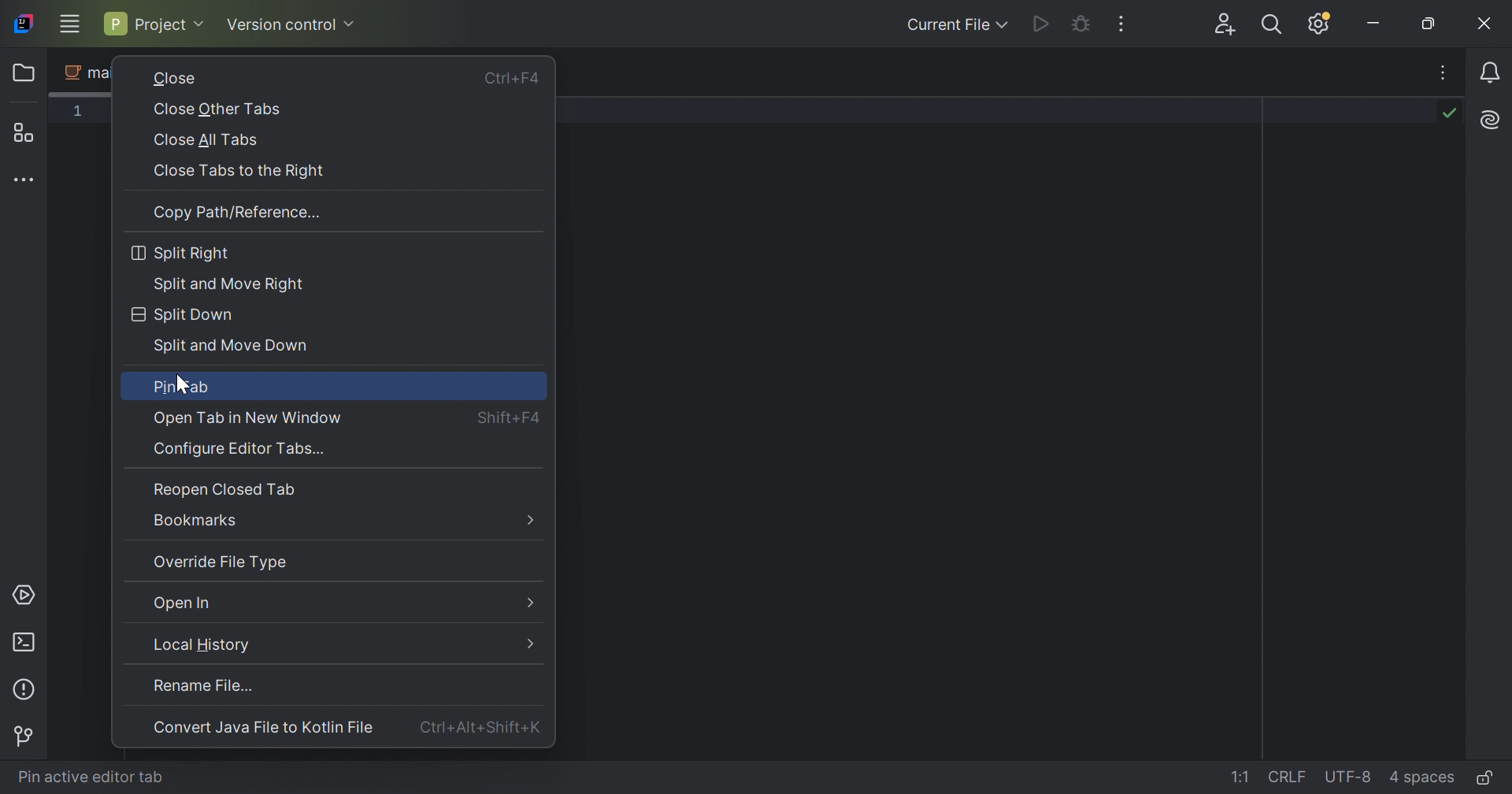 Image resolution: width=1512 pixels, height=794 pixels. What do you see at coordinates (23, 736) in the screenshot?
I see `` at bounding box center [23, 736].